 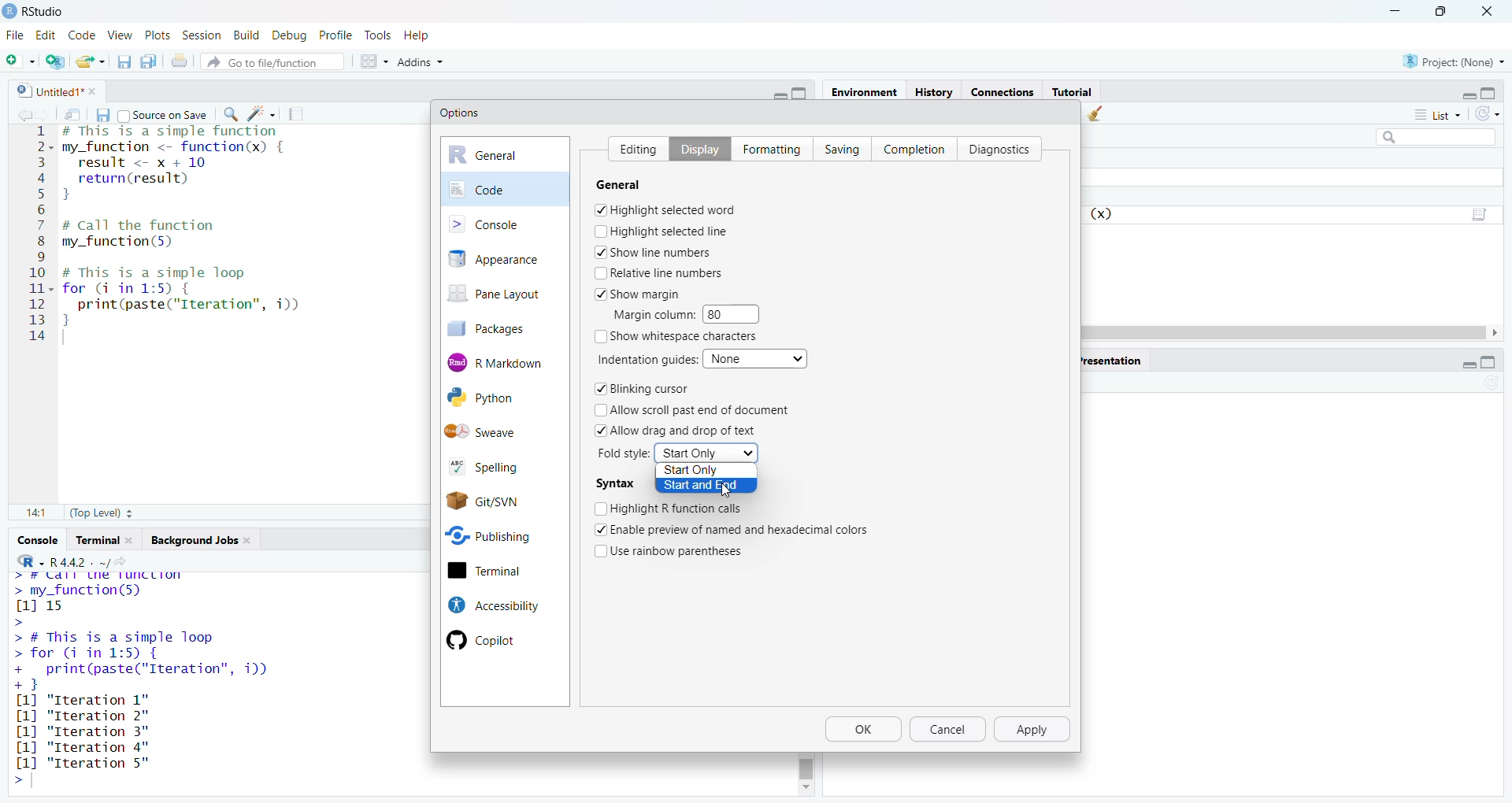 I want to click on [1] "Iteration 3", so click(x=81, y=732).